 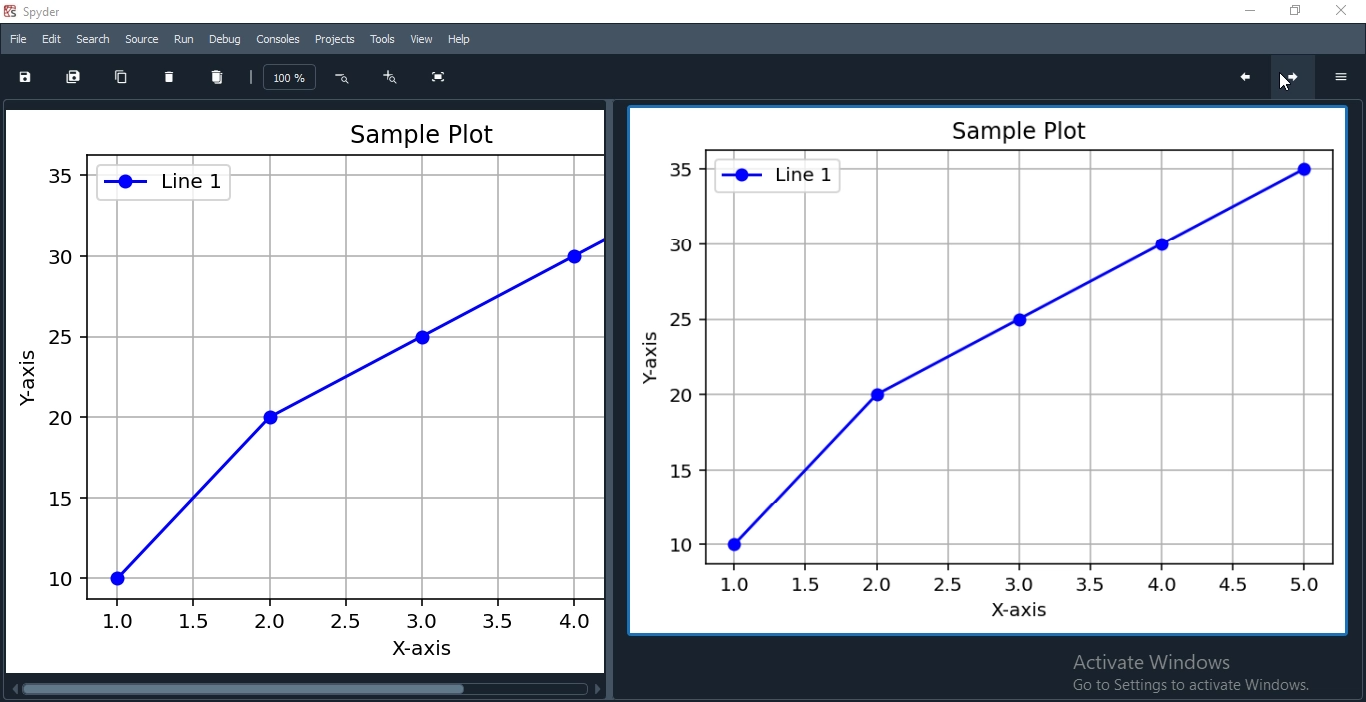 I want to click on Consoles, so click(x=278, y=40).